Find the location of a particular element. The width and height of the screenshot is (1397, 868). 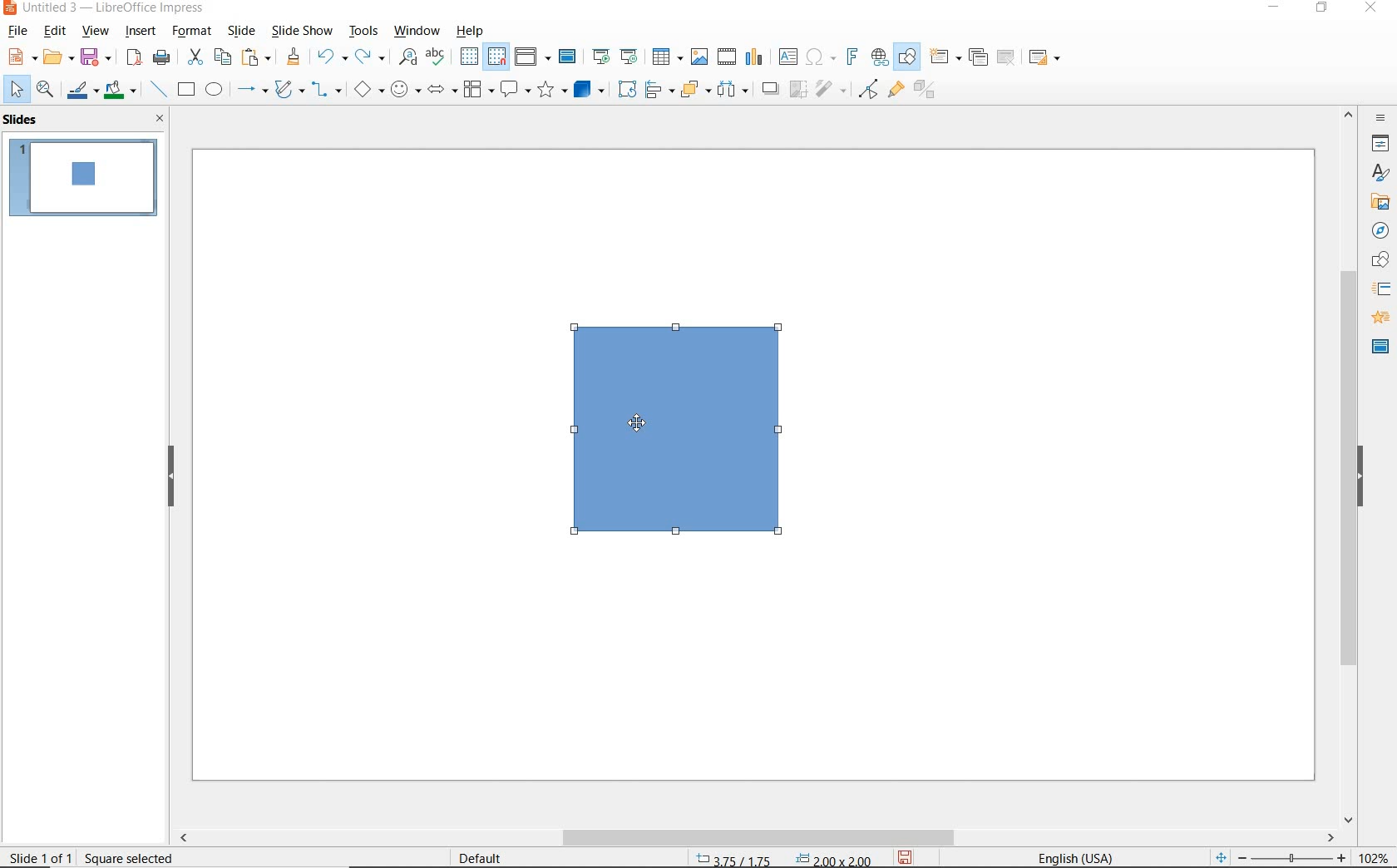

find and replace is located at coordinates (405, 60).